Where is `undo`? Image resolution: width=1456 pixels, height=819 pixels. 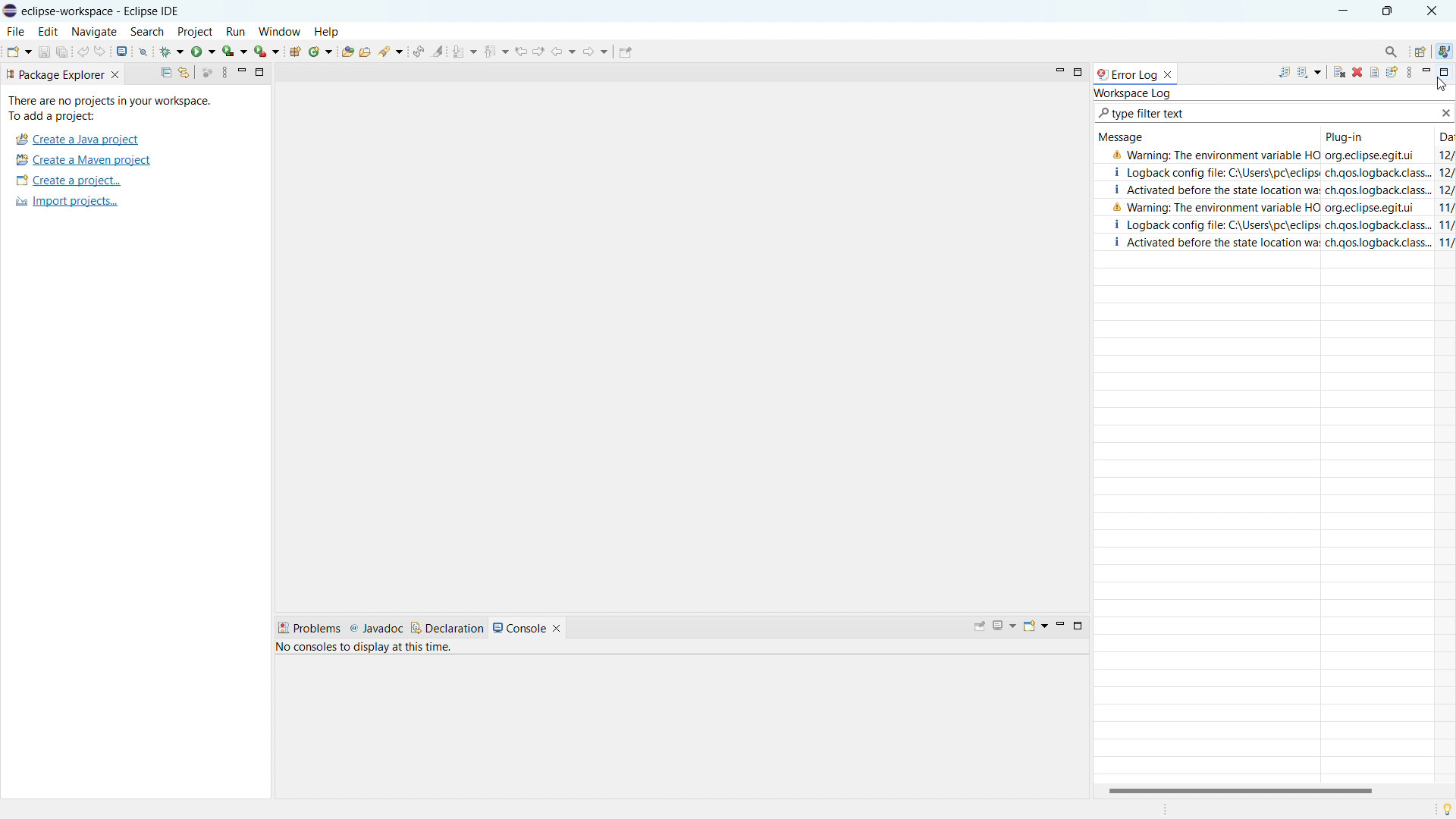
undo is located at coordinates (84, 50).